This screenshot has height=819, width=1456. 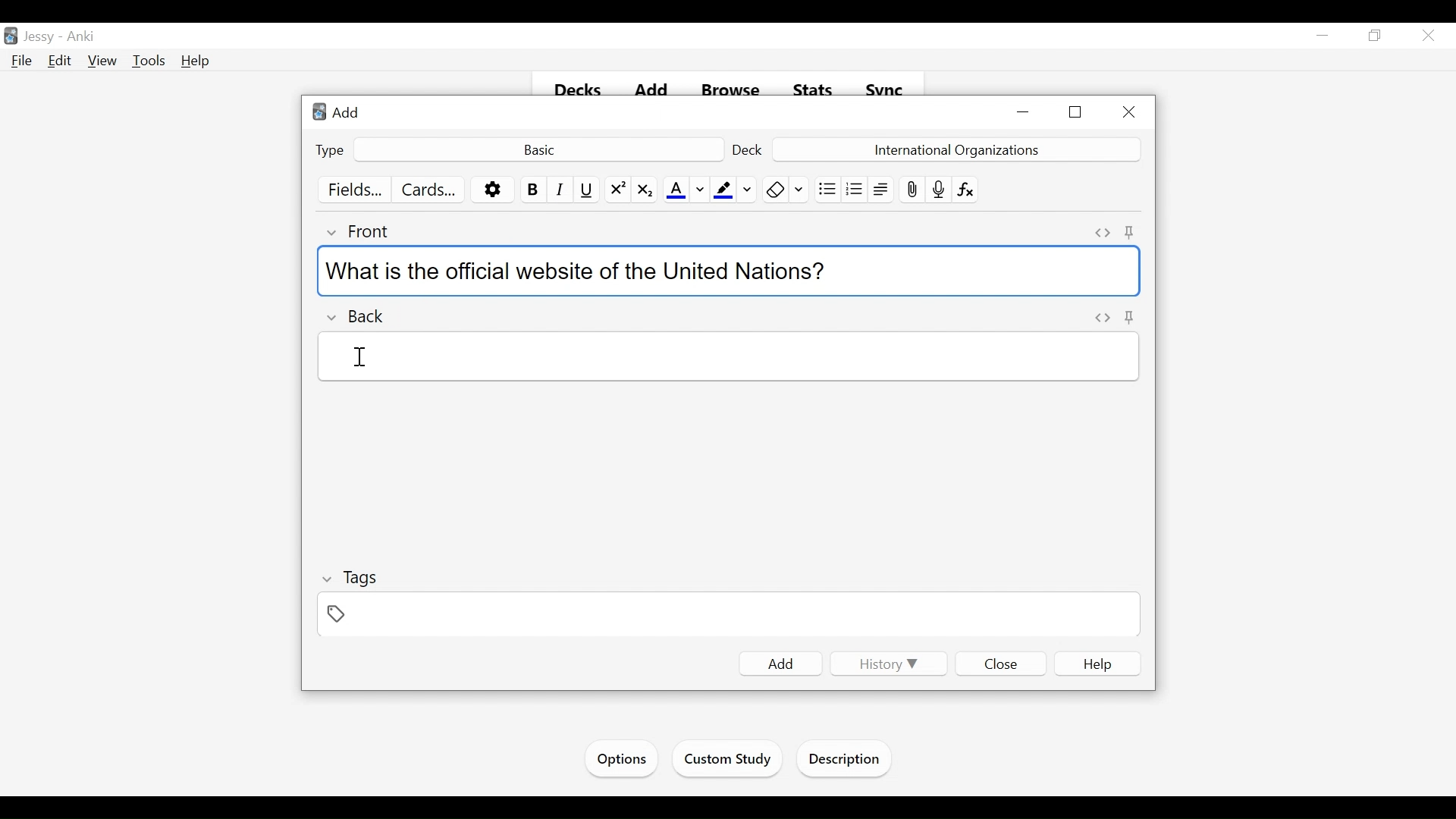 I want to click on Attach pictures, so click(x=912, y=189).